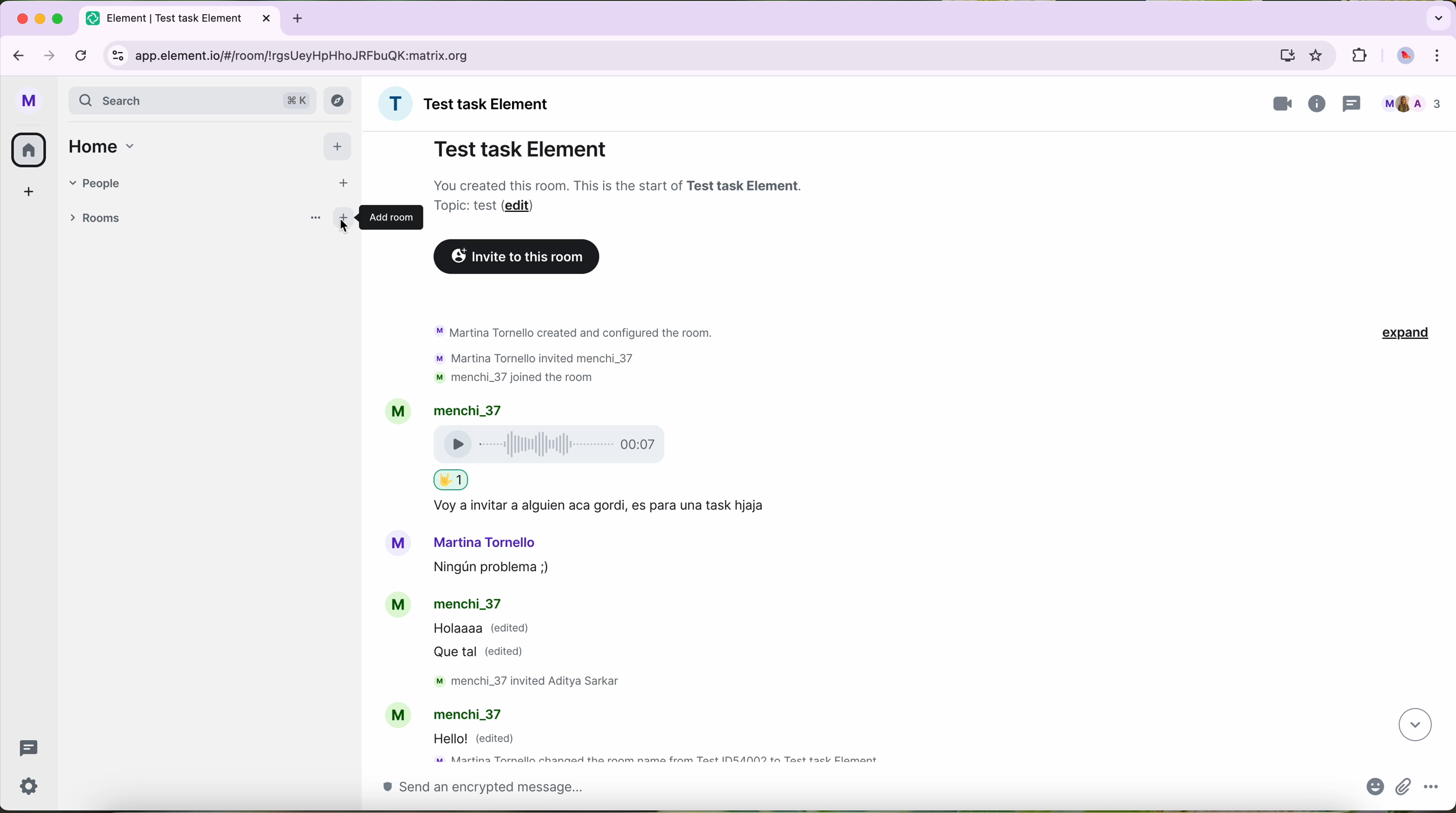  I want to click on control and customize Google Chrome, so click(1443, 56).